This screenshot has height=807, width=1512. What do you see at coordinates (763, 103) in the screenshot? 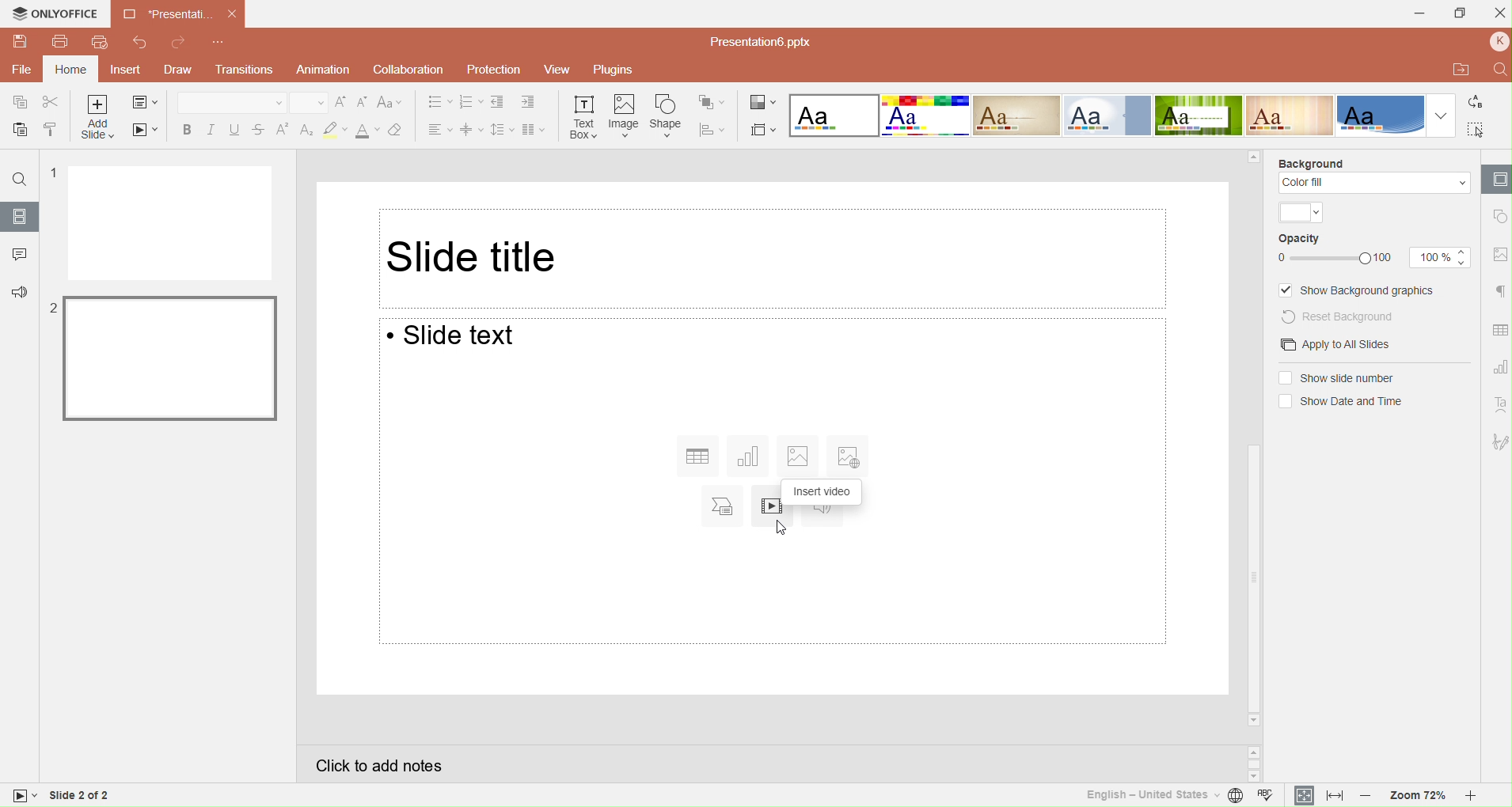
I see `Change color theme` at bounding box center [763, 103].